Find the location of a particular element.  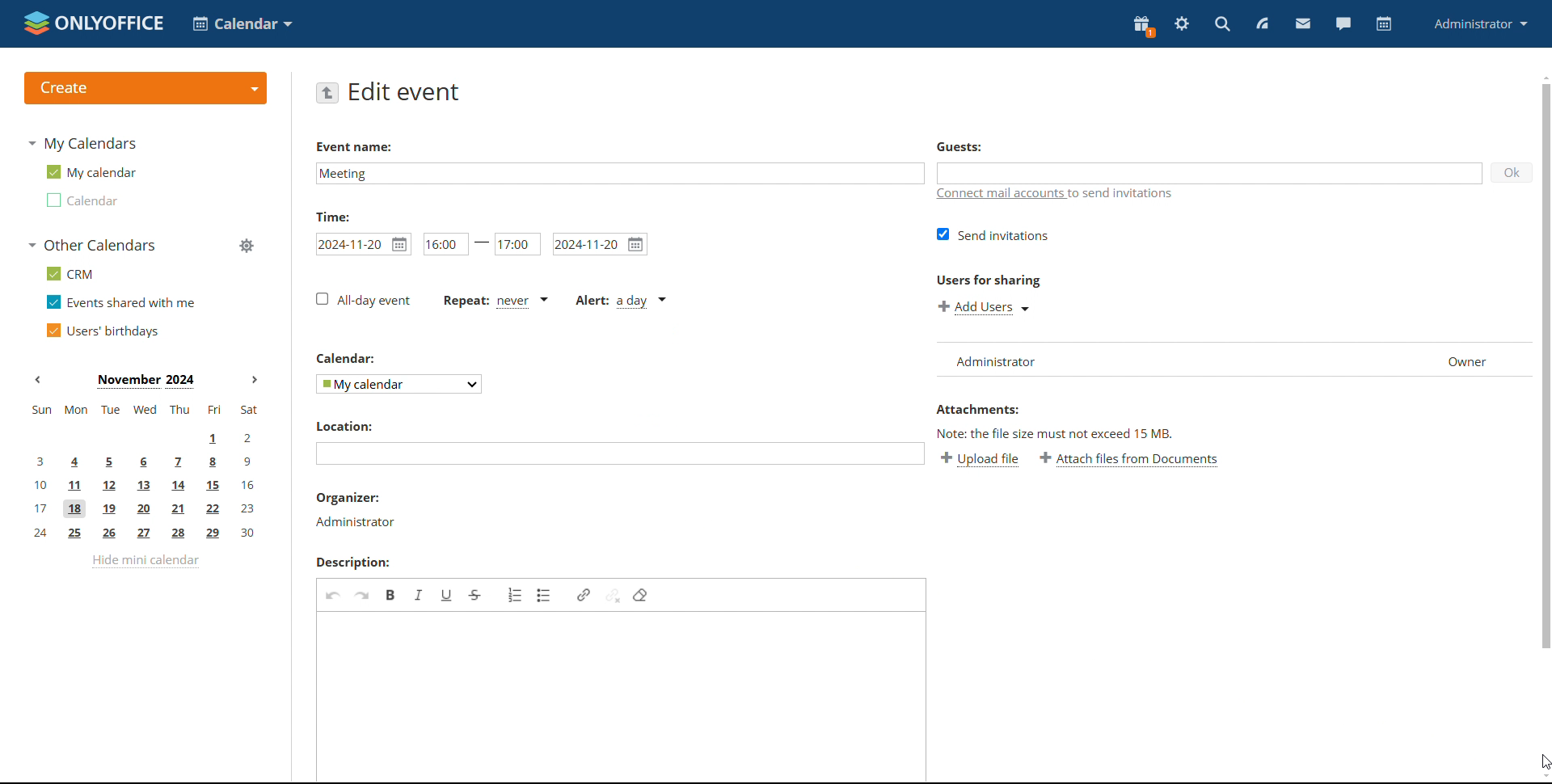

redo is located at coordinates (361, 596).